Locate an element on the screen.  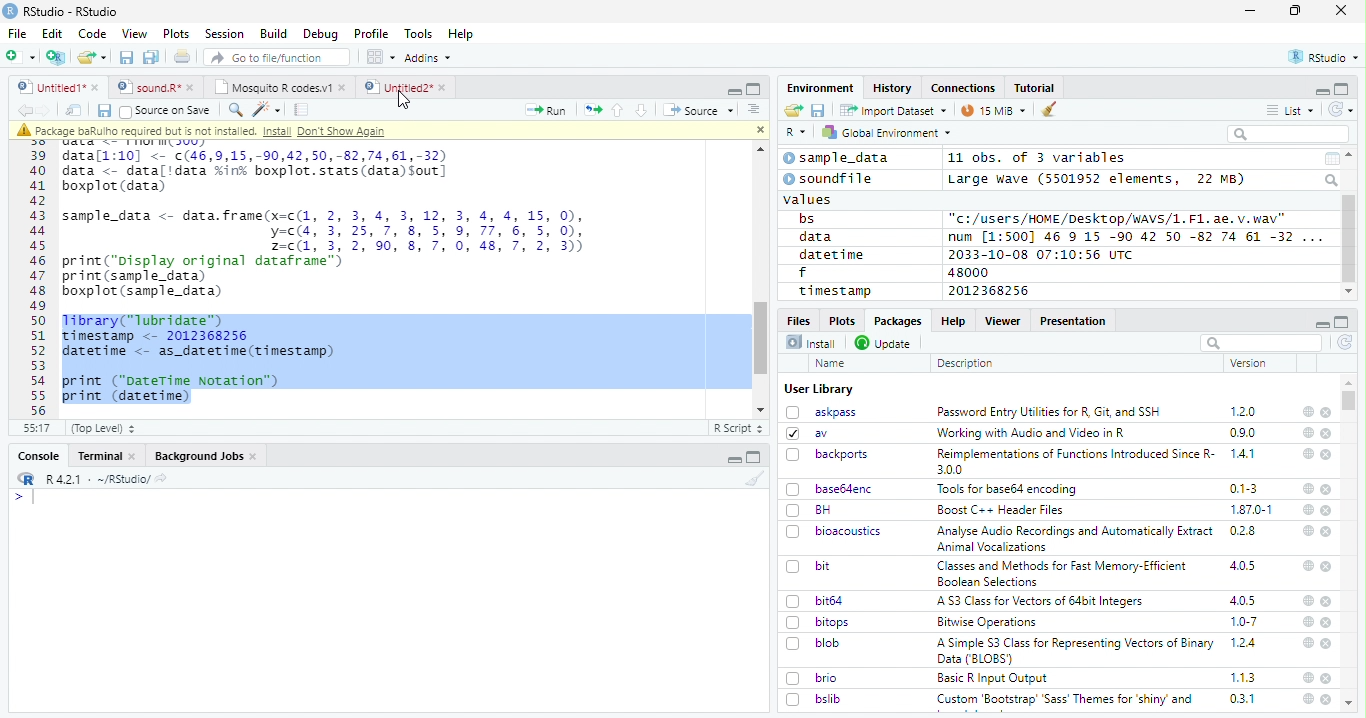
"c:/users/HOME /Desktop/wWAVS/1.F1, ae. v.wav" is located at coordinates (1119, 217).